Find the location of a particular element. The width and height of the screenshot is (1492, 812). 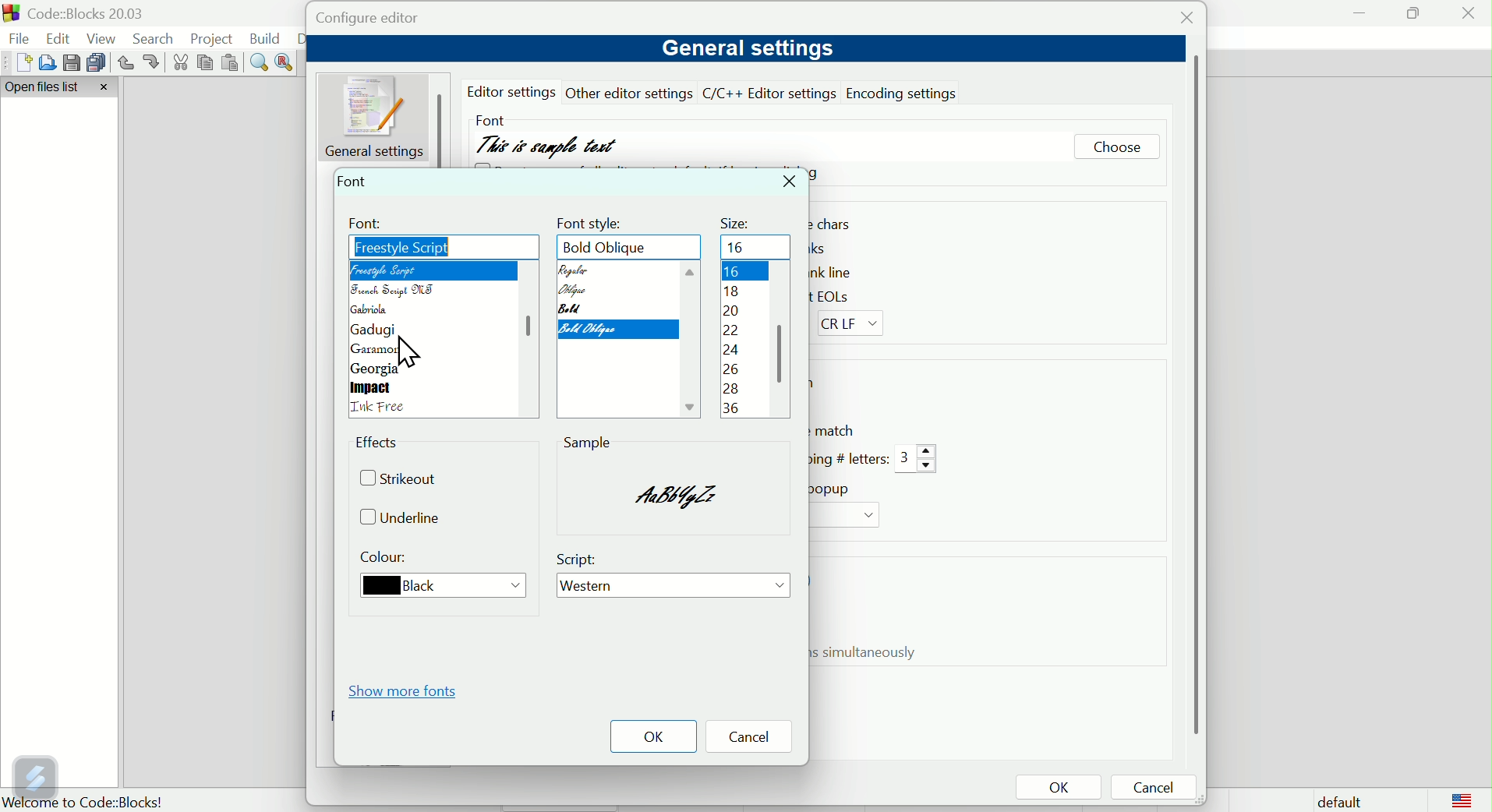

Open file is located at coordinates (44, 62).